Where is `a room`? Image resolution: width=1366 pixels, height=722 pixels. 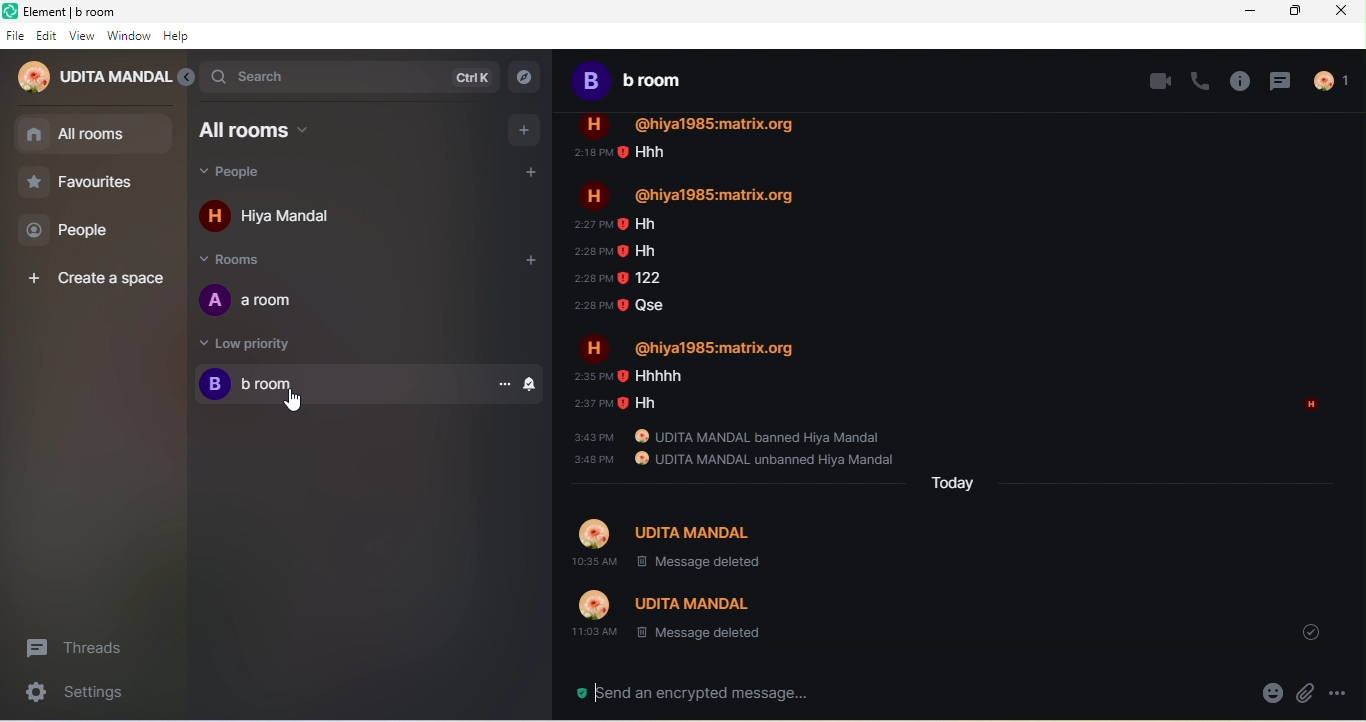 a room is located at coordinates (264, 303).